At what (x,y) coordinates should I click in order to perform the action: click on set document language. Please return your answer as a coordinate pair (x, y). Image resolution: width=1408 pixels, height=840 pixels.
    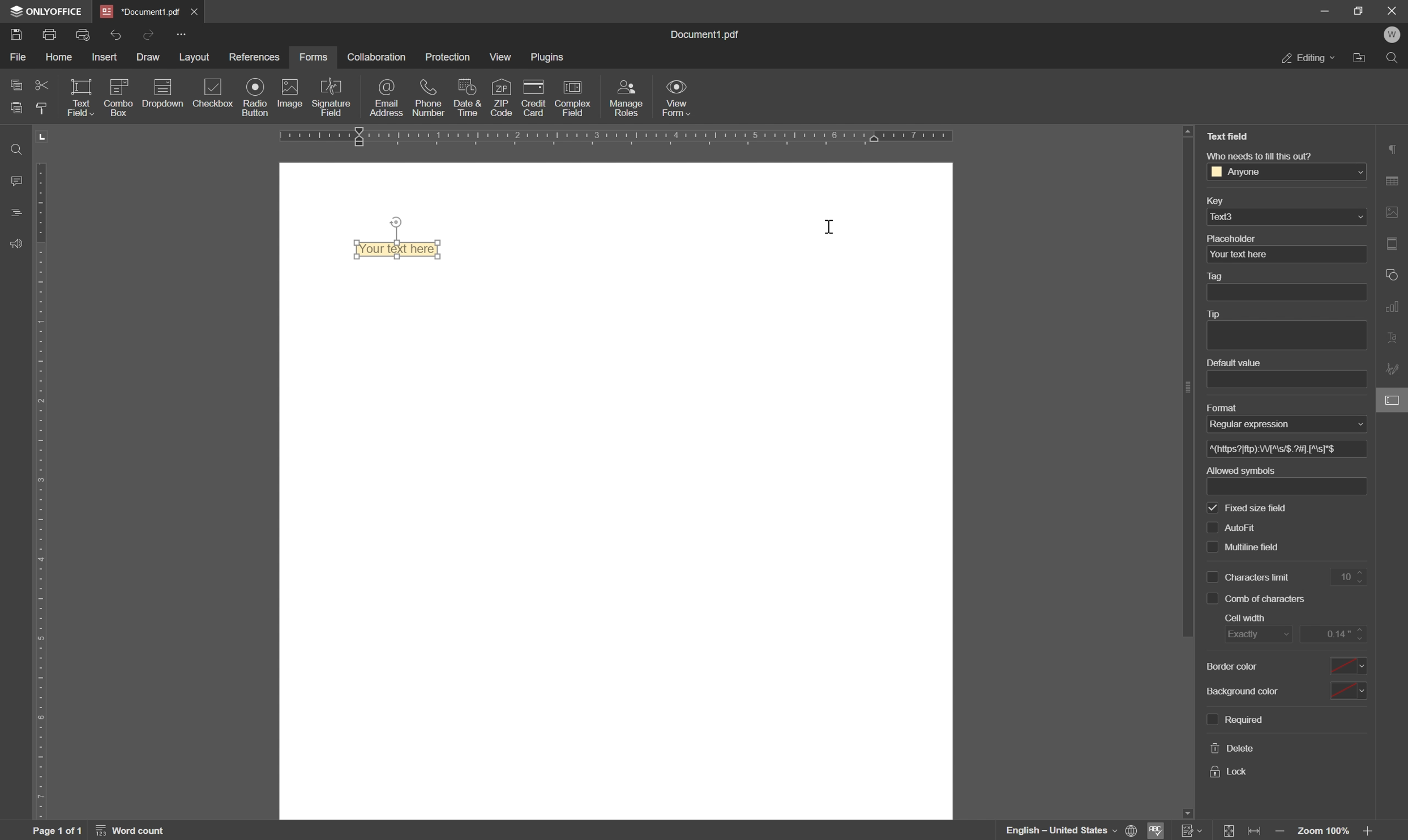
    Looking at the image, I should click on (1071, 830).